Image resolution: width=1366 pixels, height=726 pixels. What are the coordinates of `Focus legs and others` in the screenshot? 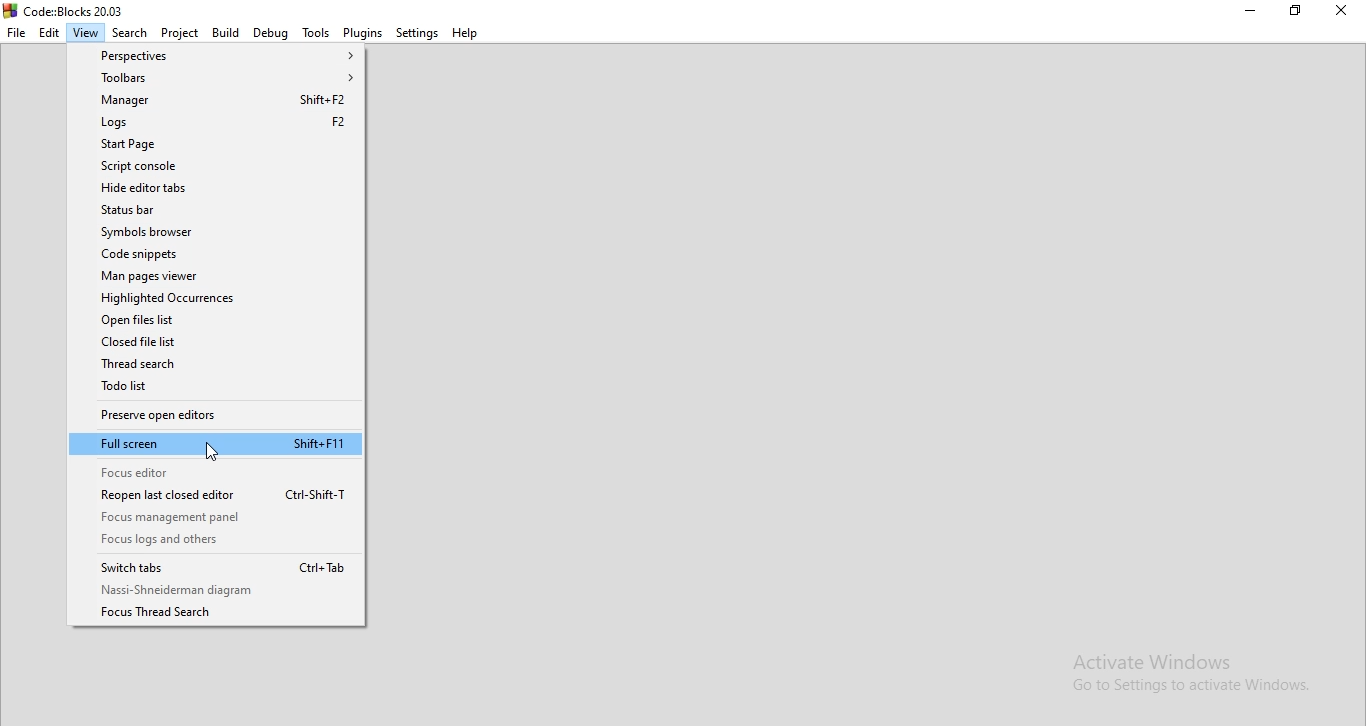 It's located at (217, 540).